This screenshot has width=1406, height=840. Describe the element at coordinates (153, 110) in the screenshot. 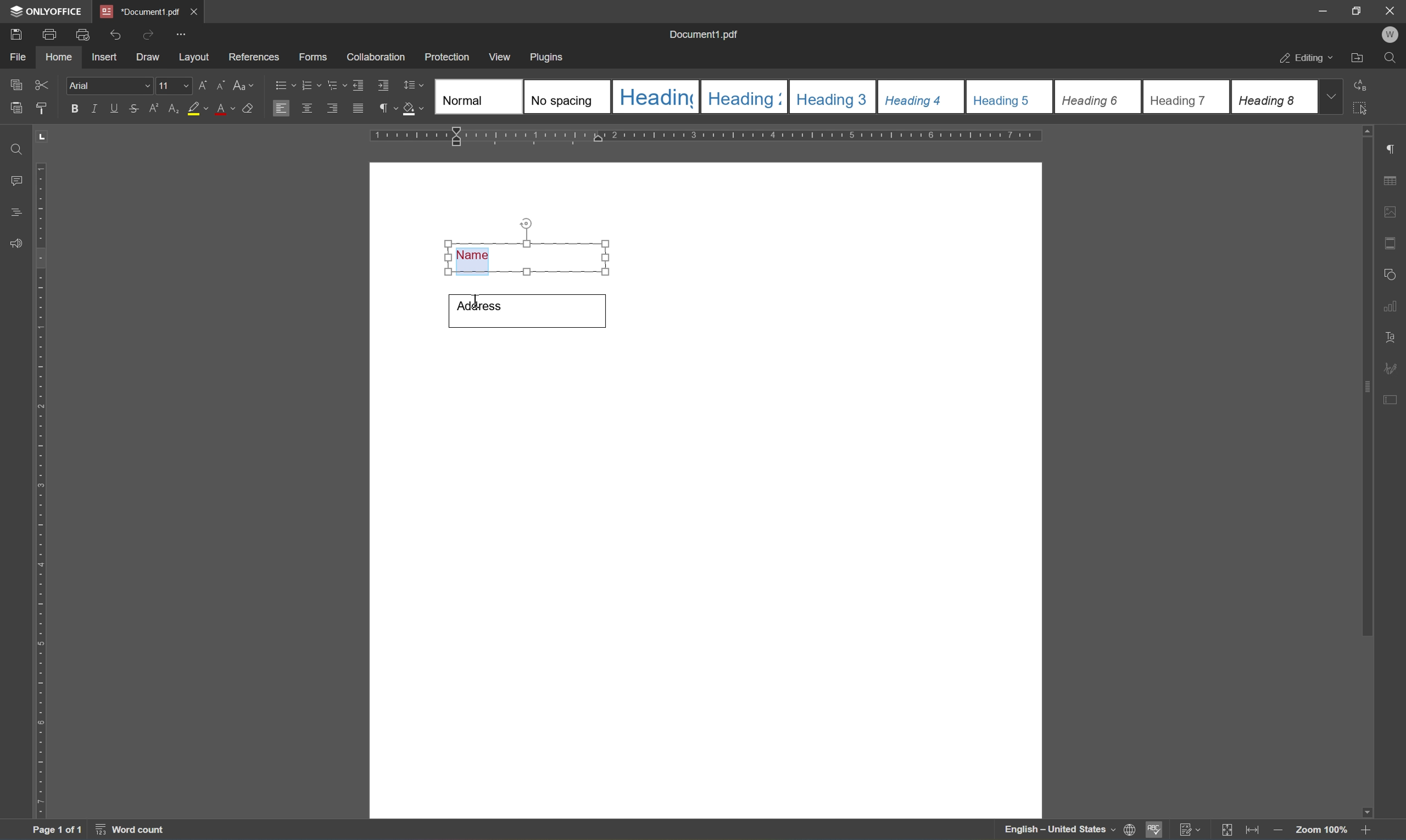

I see `superscript` at that location.